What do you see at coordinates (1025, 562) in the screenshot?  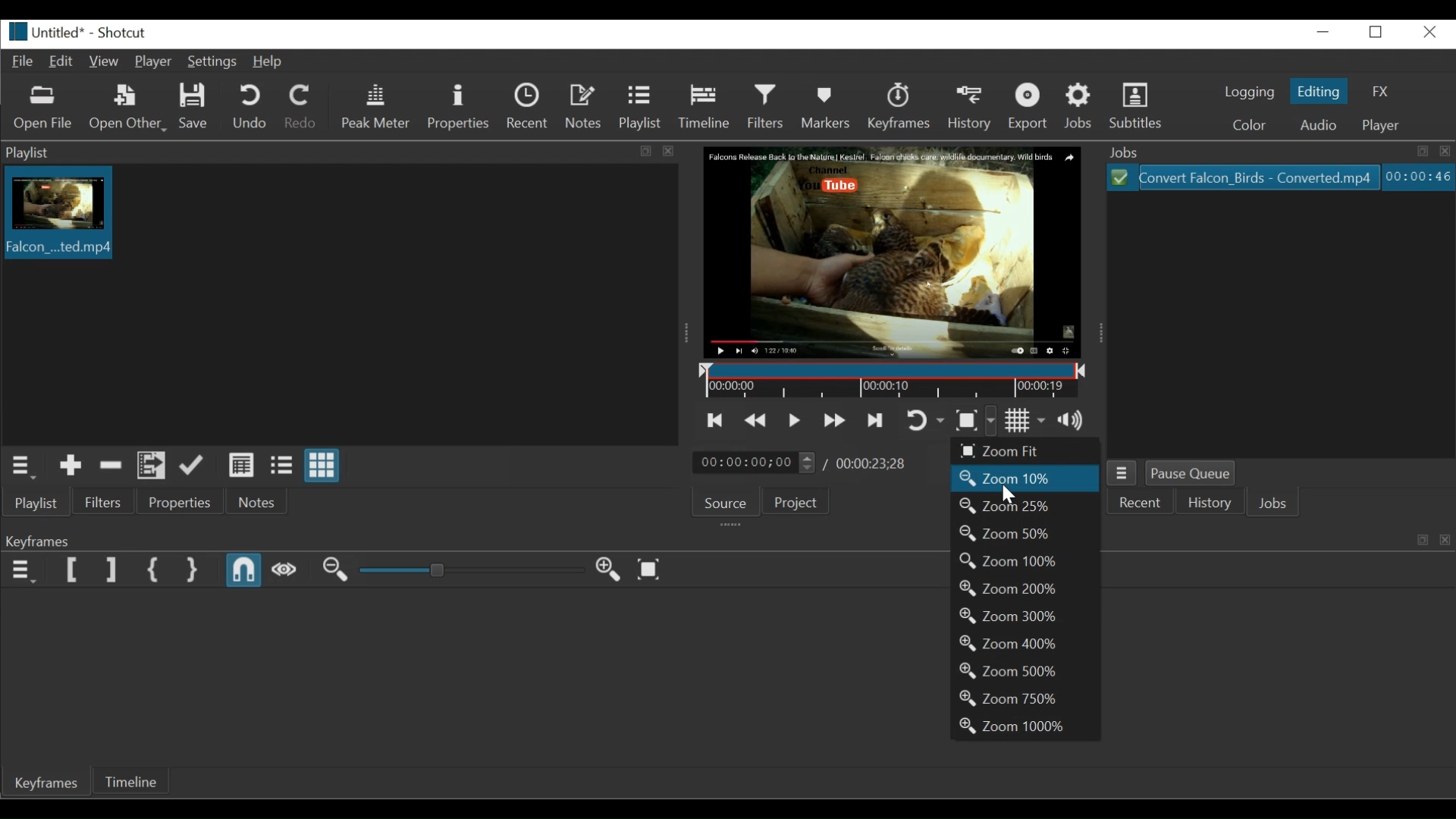 I see `Zoom 100%` at bounding box center [1025, 562].